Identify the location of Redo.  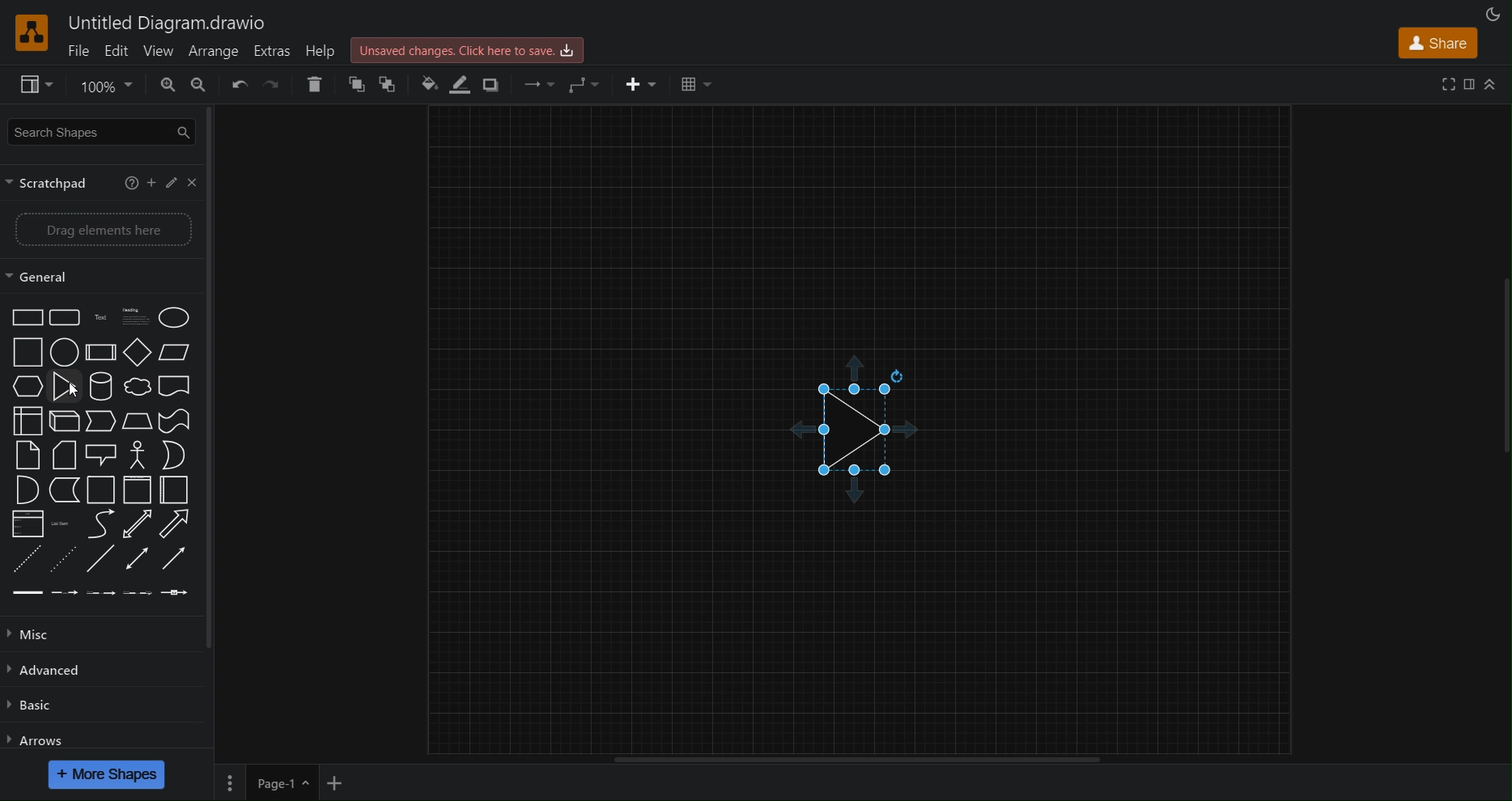
(272, 85).